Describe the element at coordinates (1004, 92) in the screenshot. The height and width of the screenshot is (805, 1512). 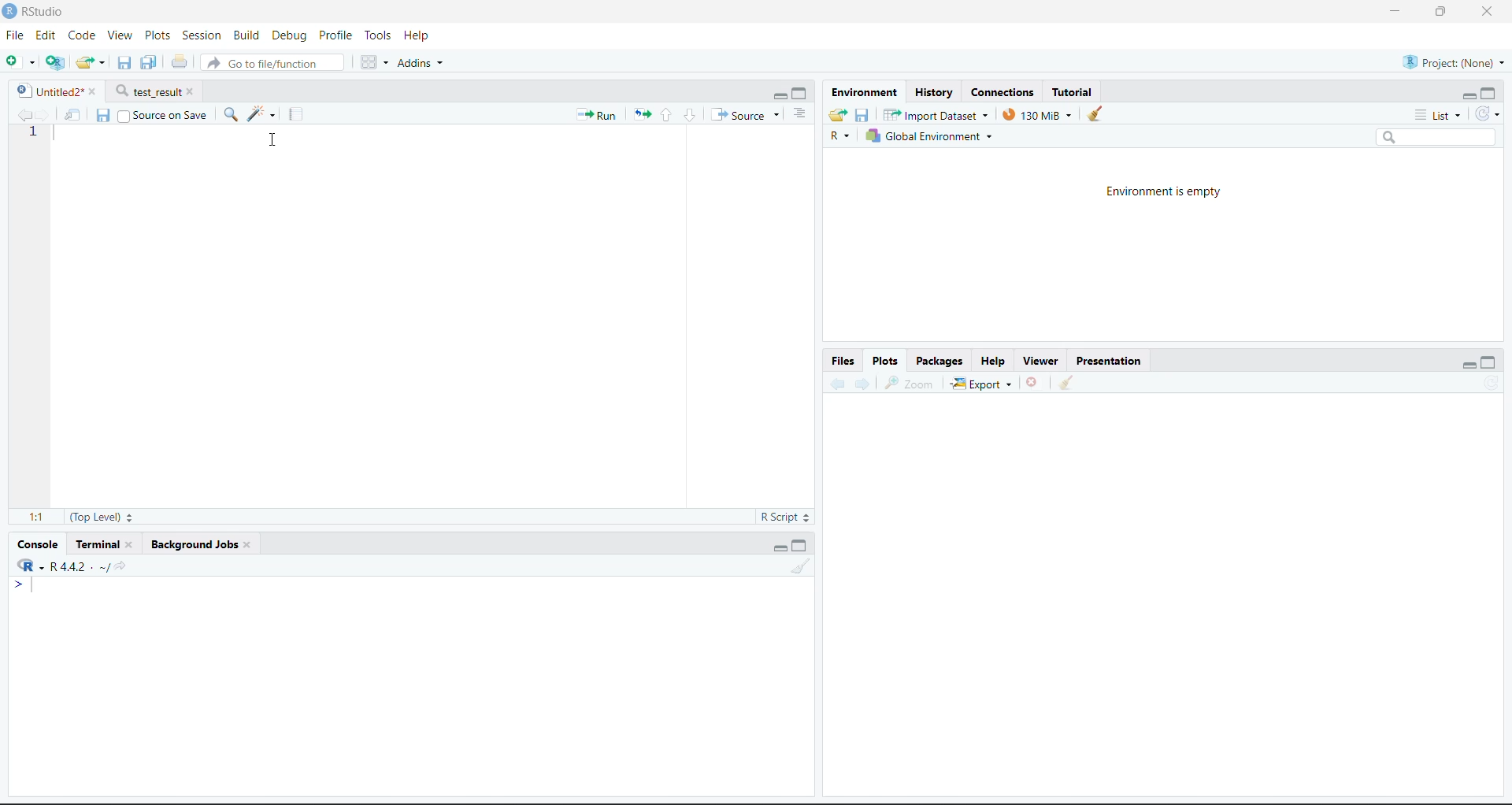
I see `Connections` at that location.